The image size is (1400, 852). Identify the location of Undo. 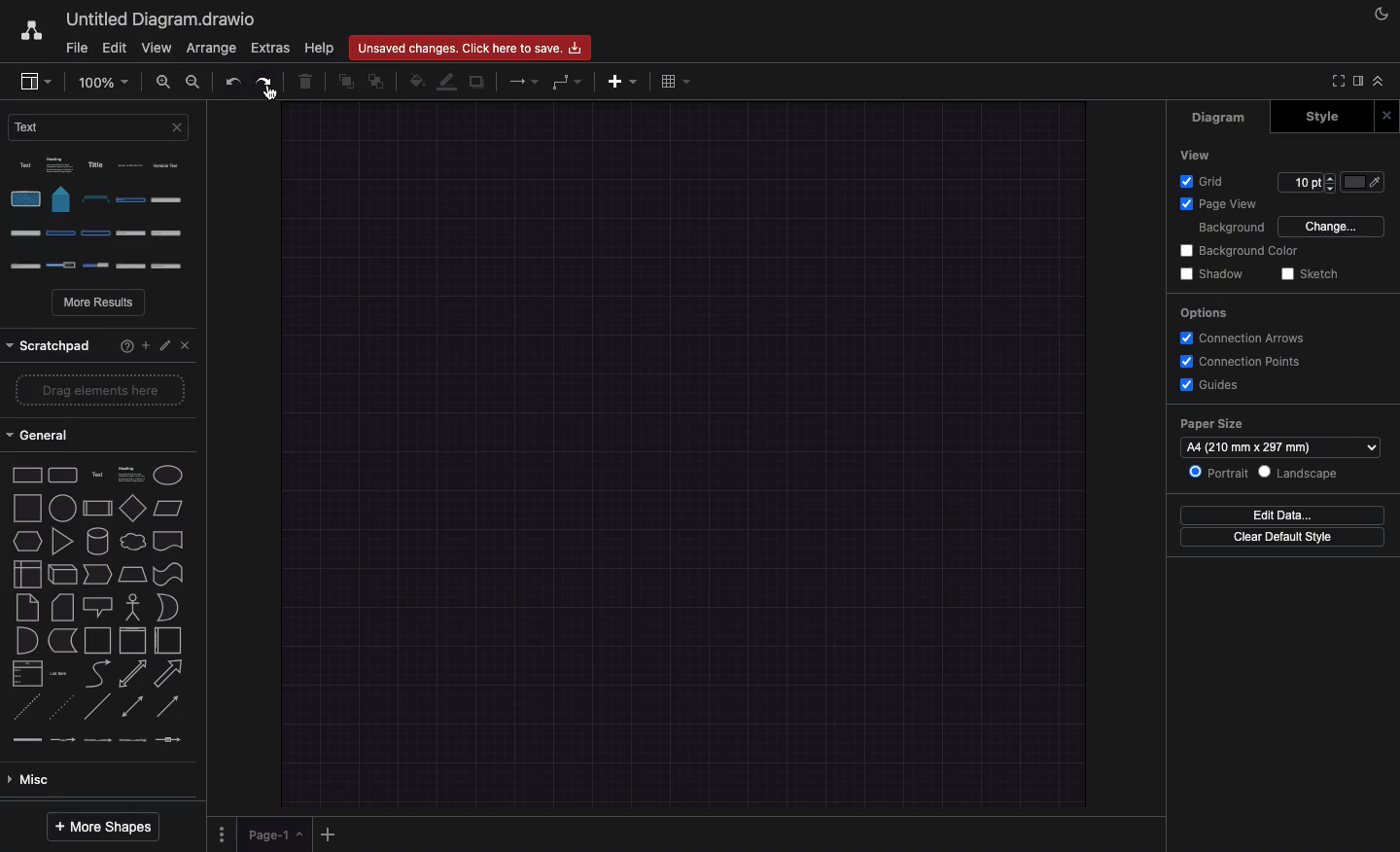
(232, 83).